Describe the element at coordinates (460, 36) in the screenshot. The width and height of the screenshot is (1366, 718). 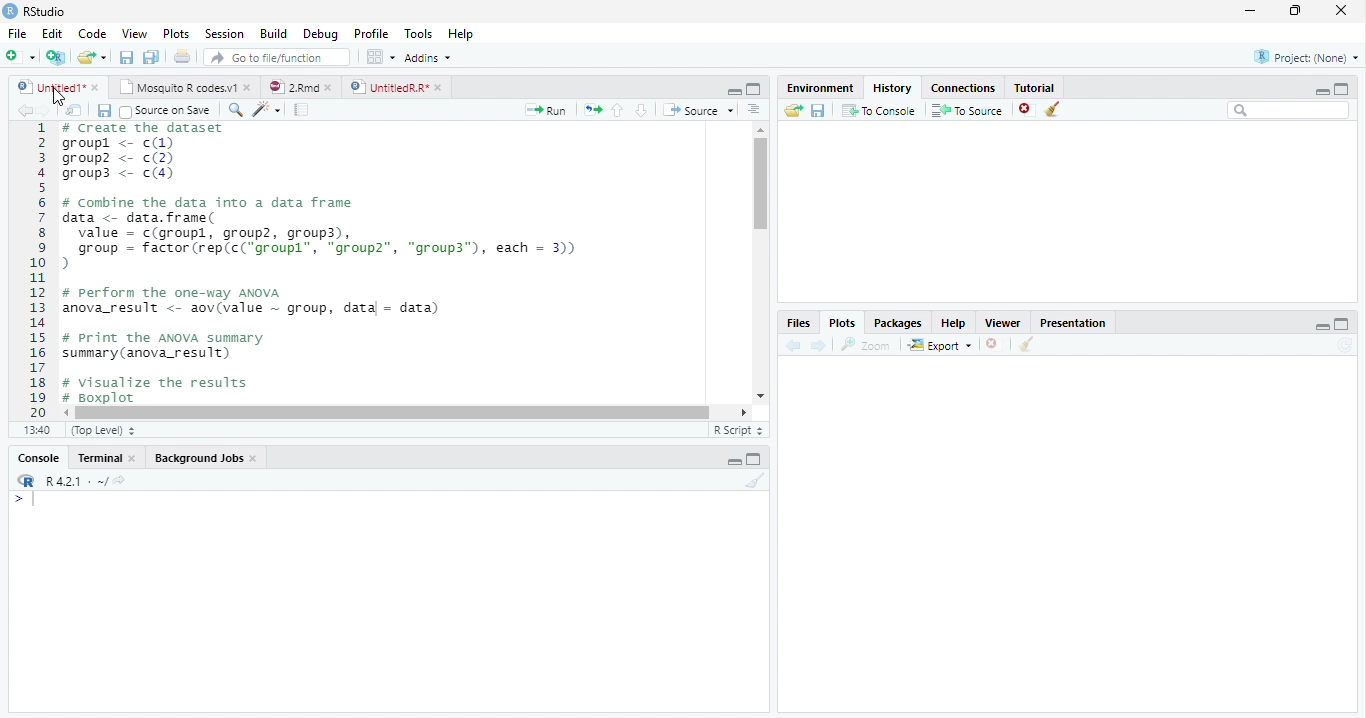
I see `Help` at that location.